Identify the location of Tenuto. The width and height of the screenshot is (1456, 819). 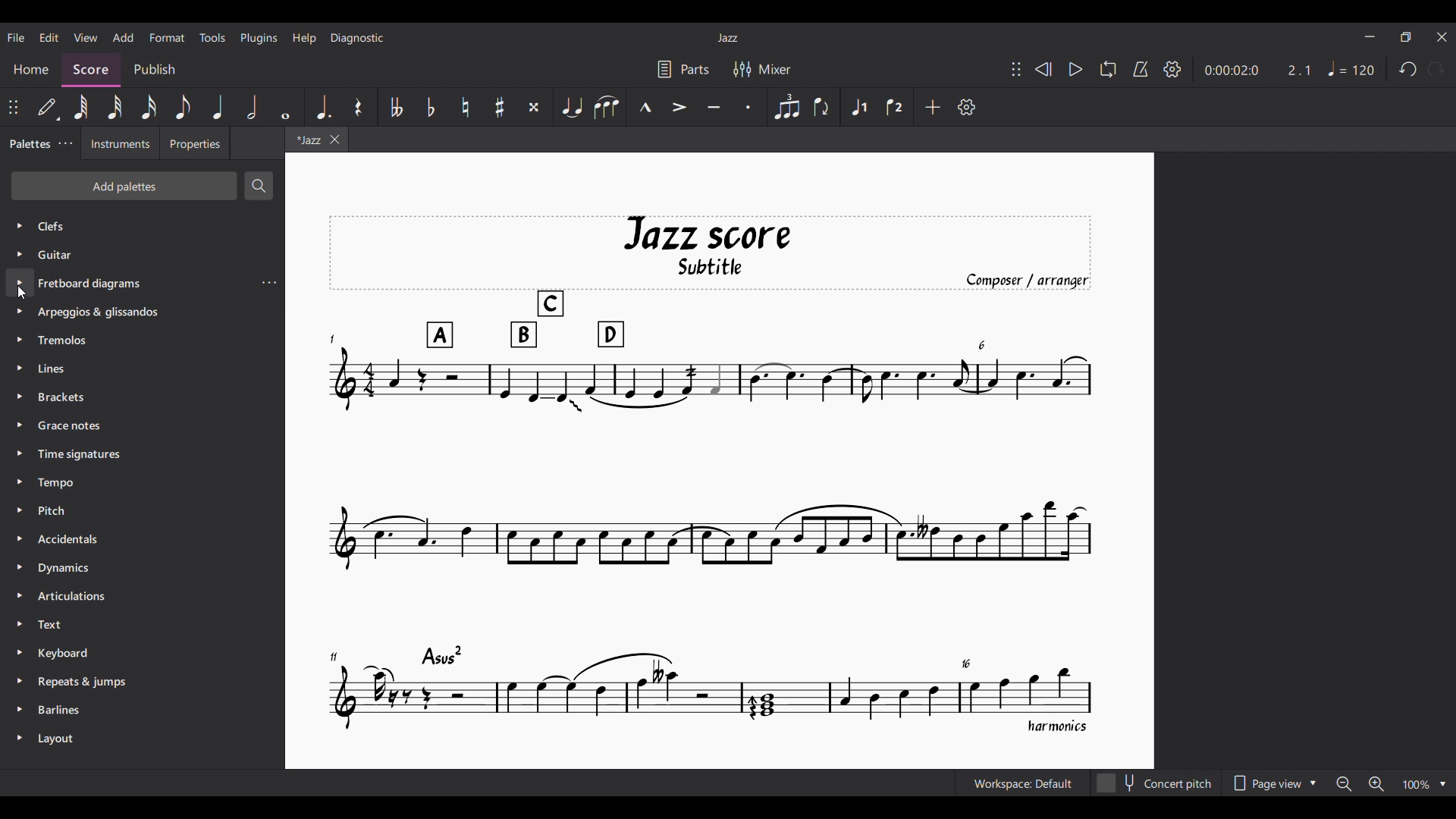
(714, 108).